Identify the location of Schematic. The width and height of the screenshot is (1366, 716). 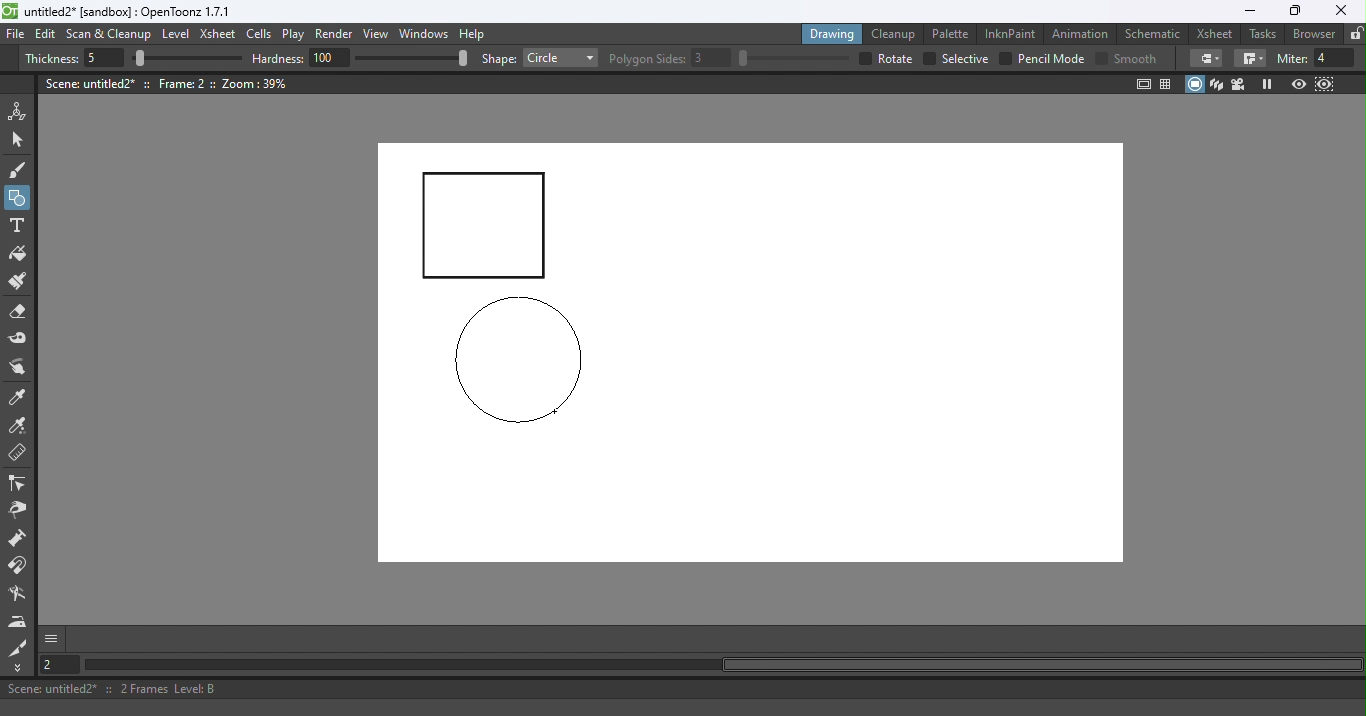
(1153, 34).